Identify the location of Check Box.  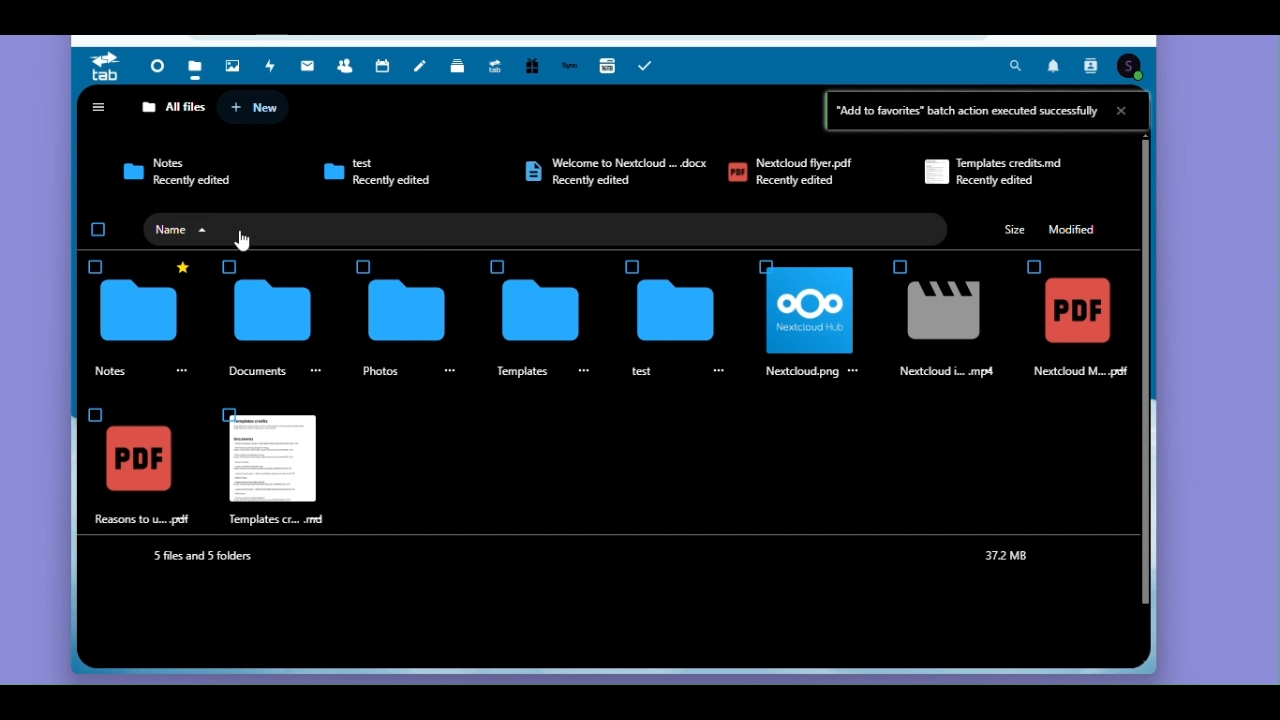
(632, 266).